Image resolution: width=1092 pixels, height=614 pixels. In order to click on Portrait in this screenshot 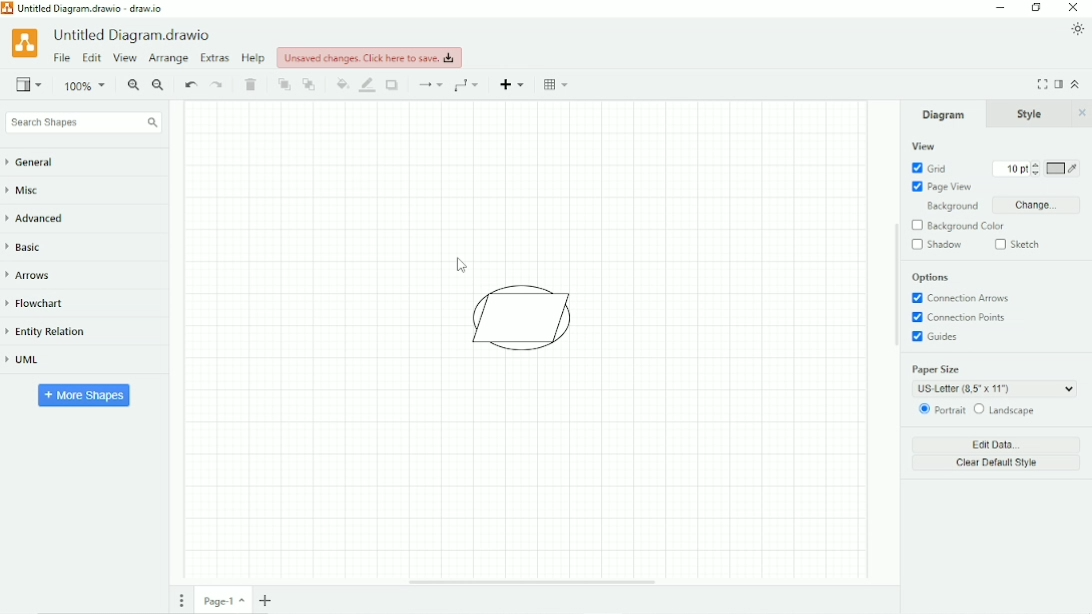, I will do `click(940, 410)`.